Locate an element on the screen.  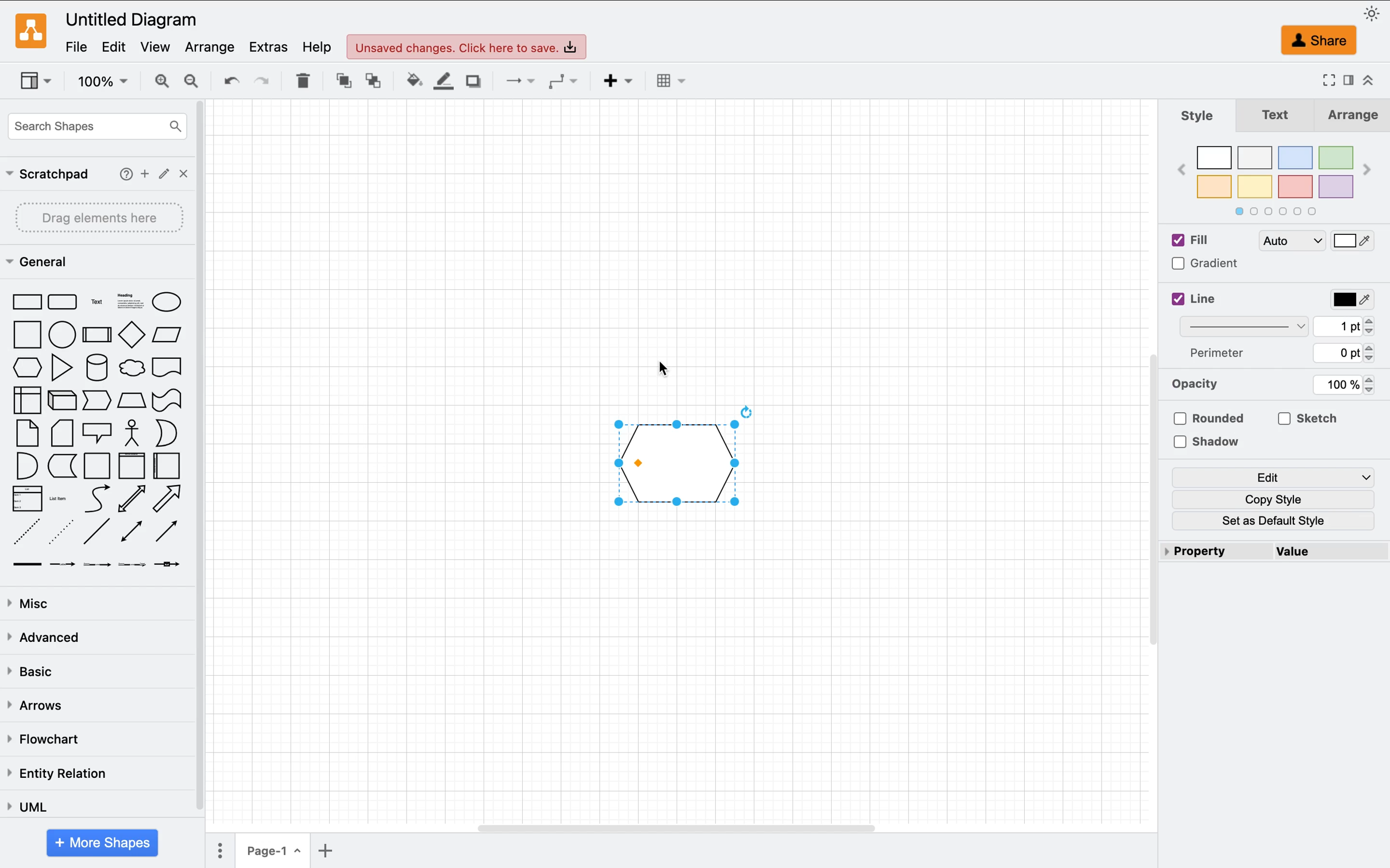
view is located at coordinates (157, 46).